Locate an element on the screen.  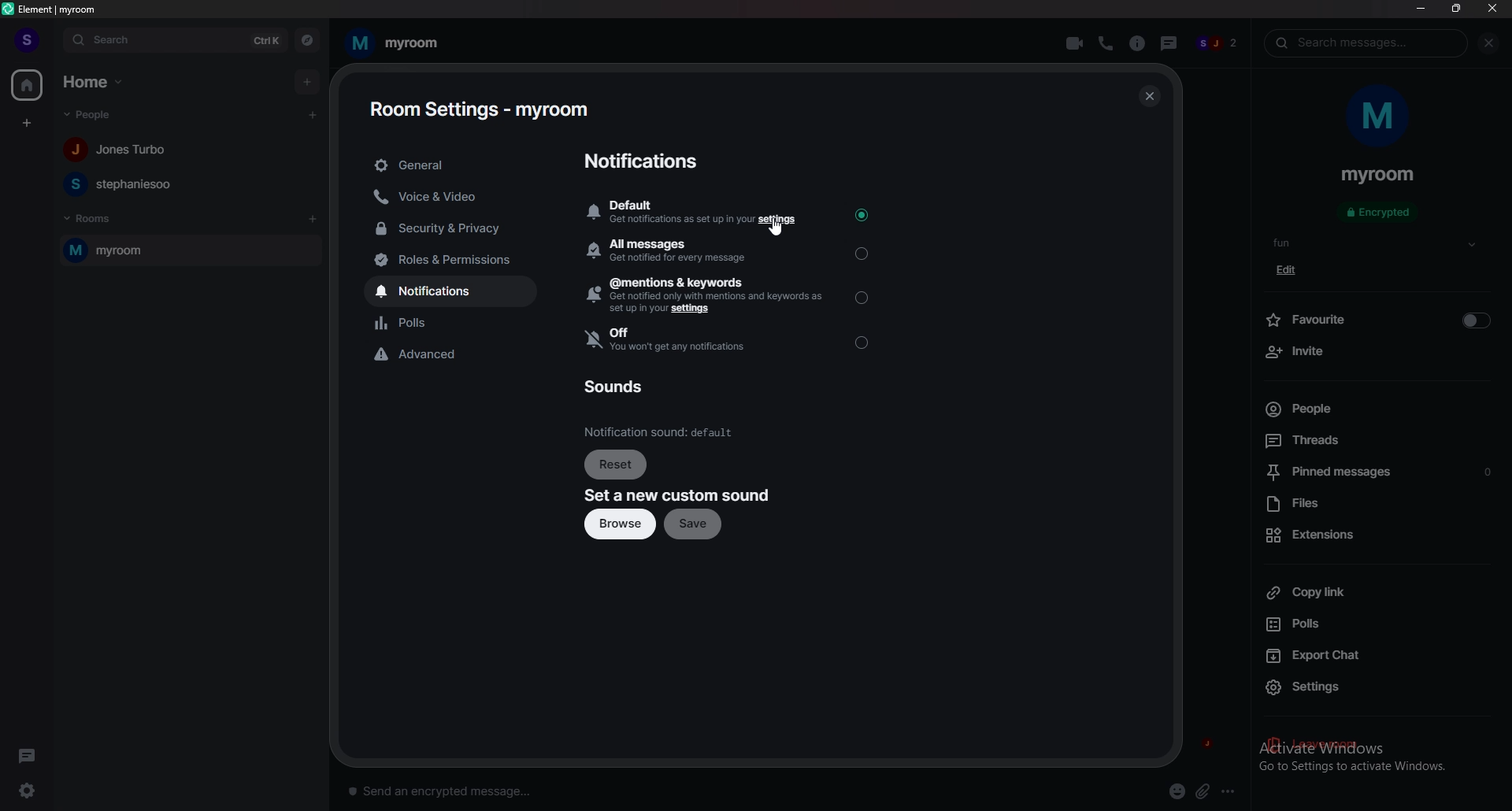
close info is located at coordinates (1486, 43).